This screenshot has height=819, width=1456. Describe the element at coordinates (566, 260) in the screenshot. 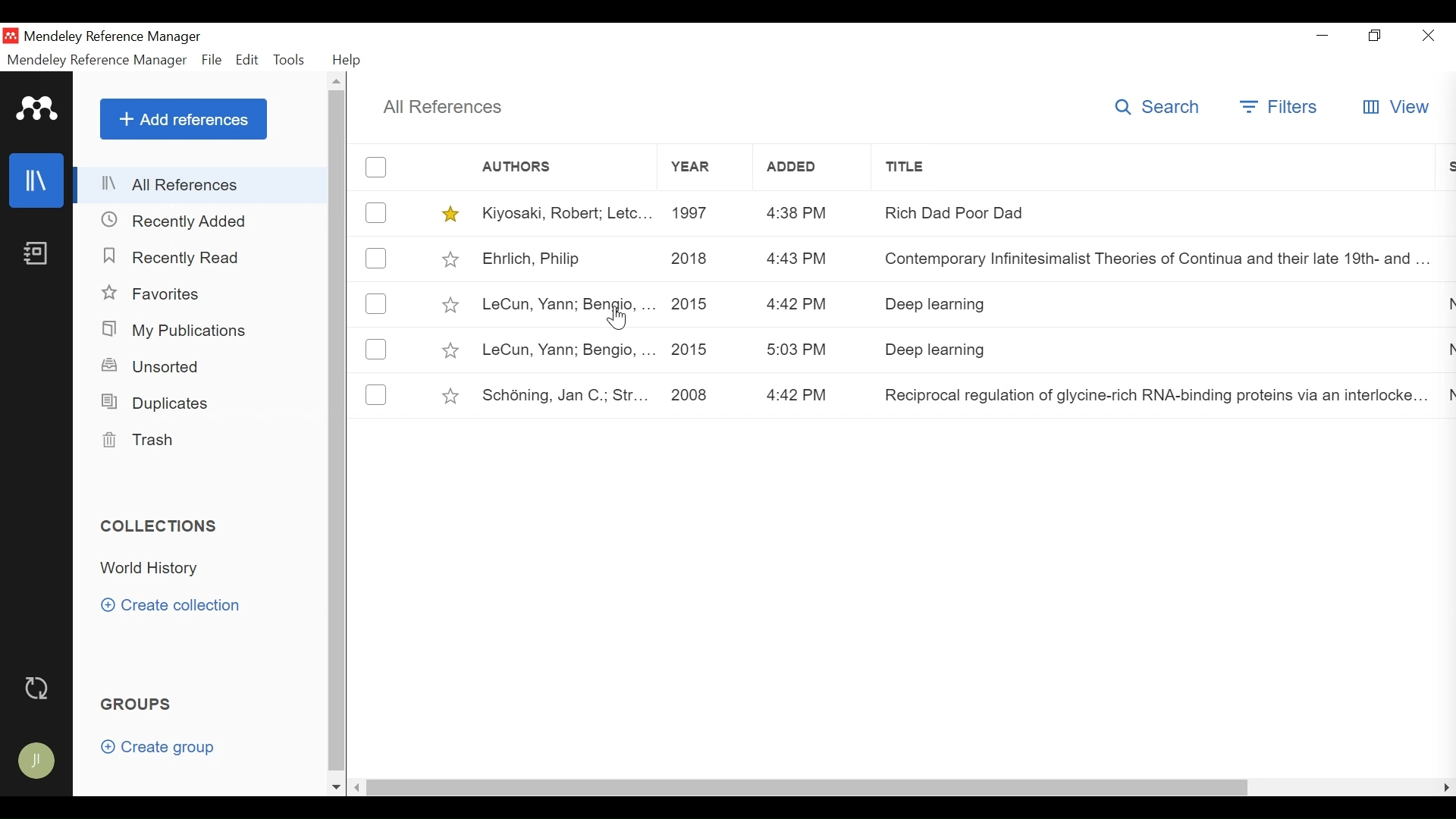

I see `Ehrlich, Philip` at that location.